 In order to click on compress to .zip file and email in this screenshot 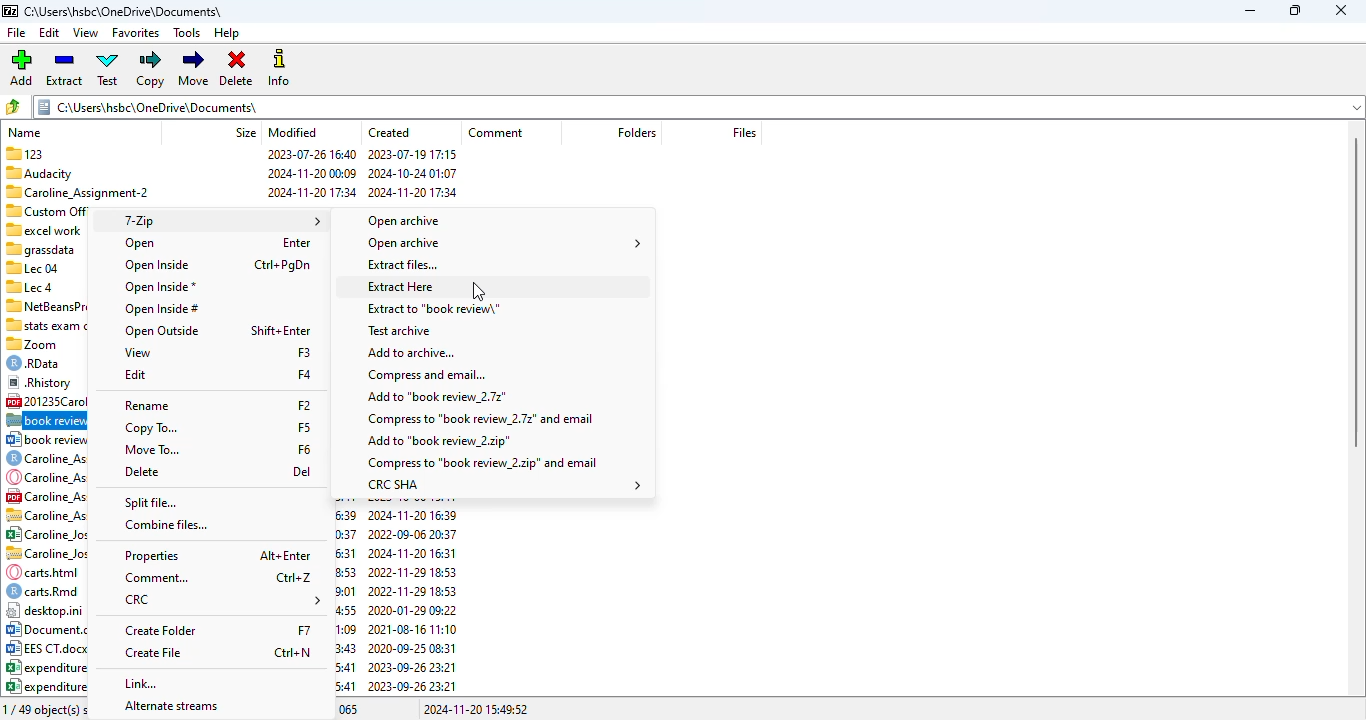, I will do `click(482, 463)`.